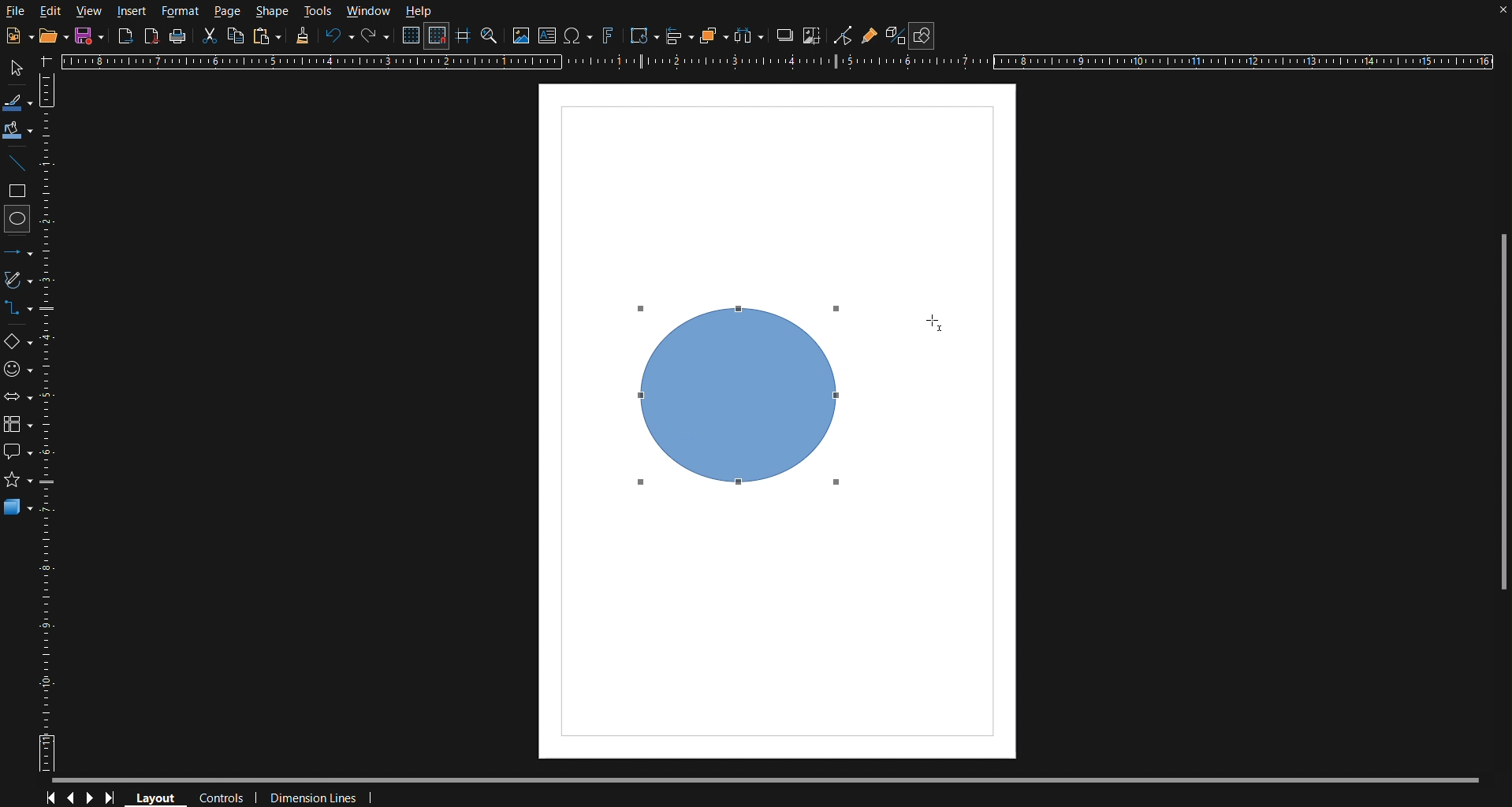 Image resolution: width=1512 pixels, height=807 pixels. I want to click on close, so click(1497, 13).